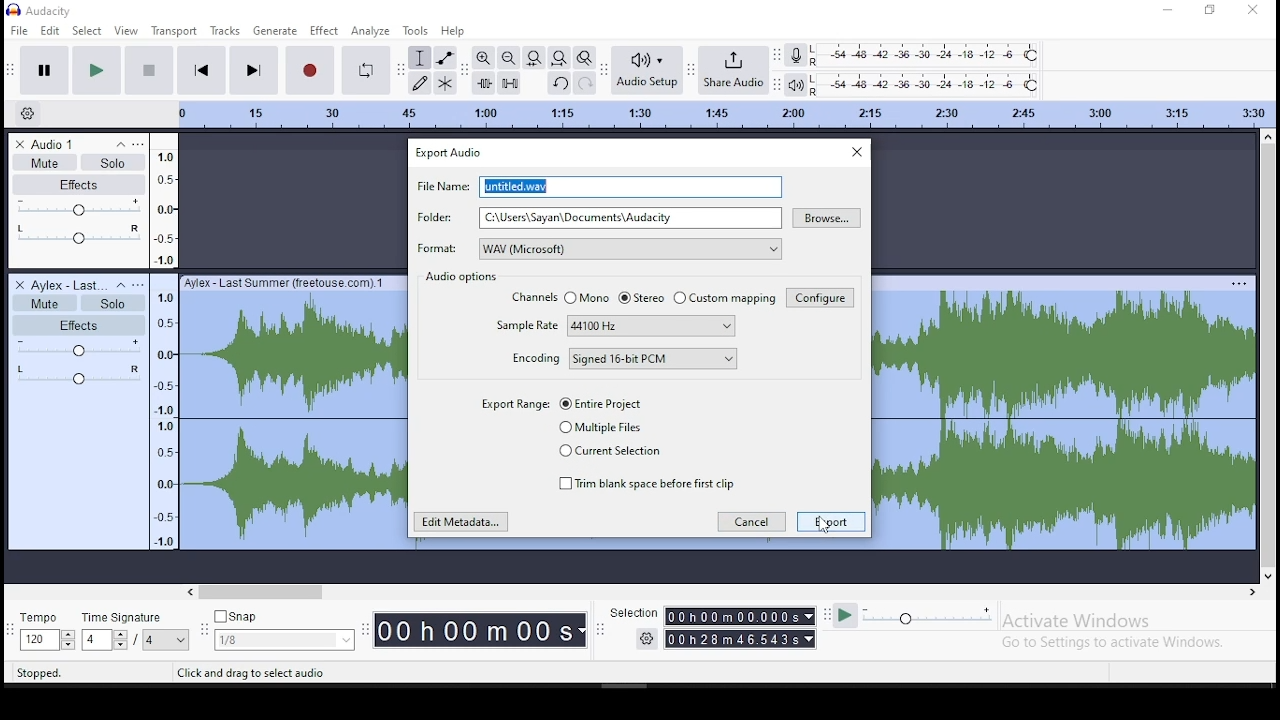  I want to click on Stopped, so click(35, 674).